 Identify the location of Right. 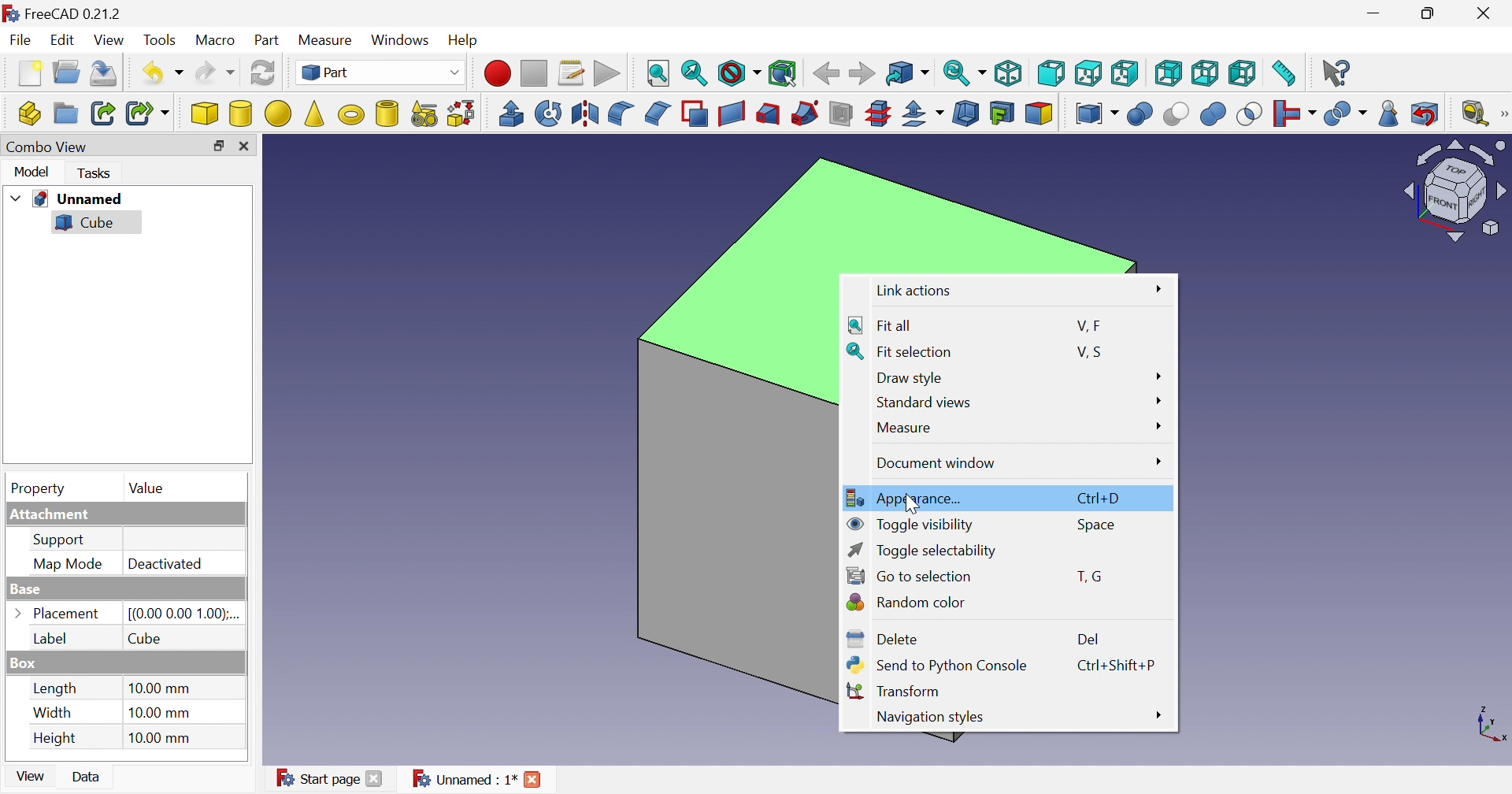
(1125, 72).